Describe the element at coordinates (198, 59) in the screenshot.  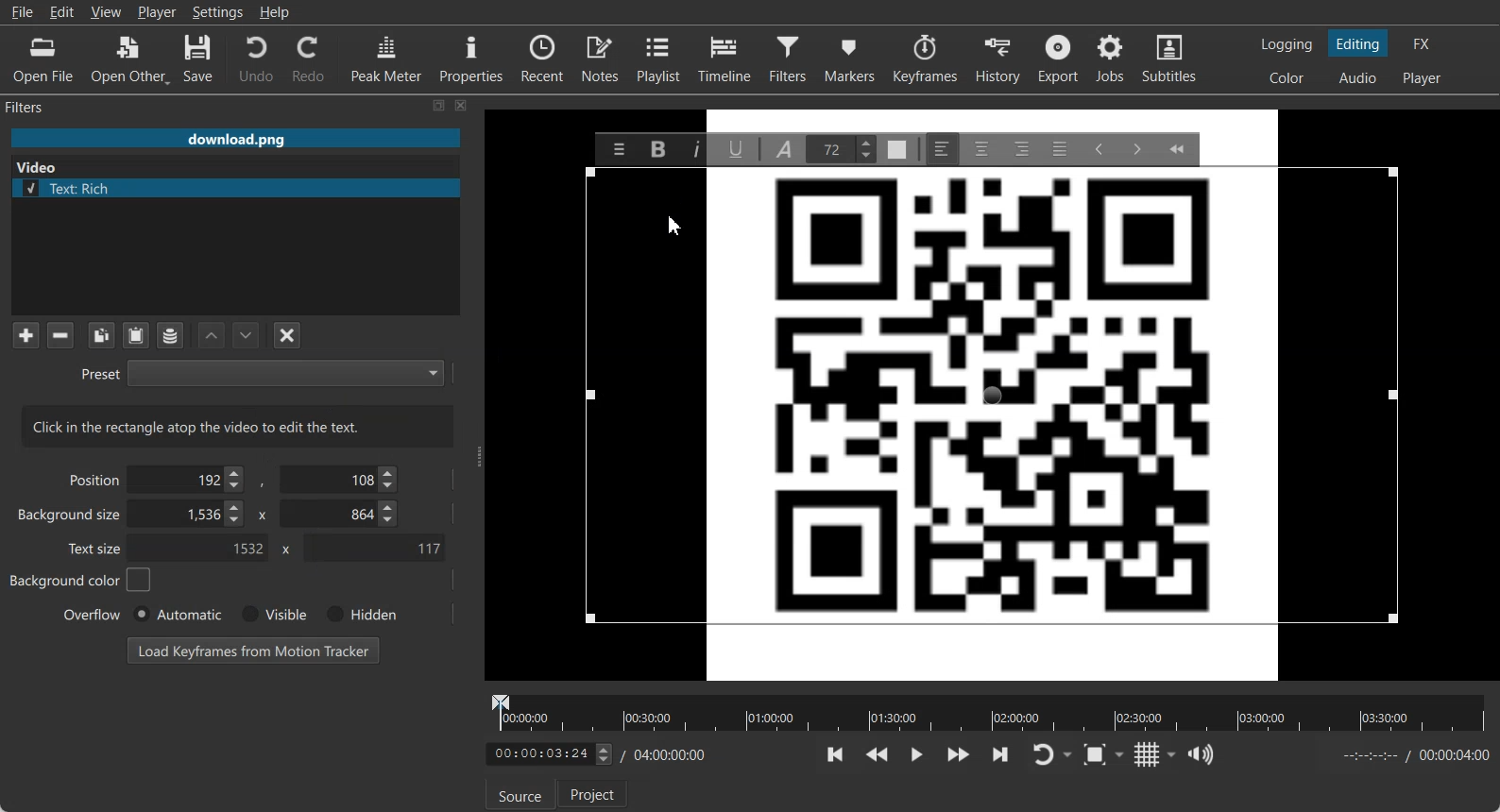
I see `Save` at that location.